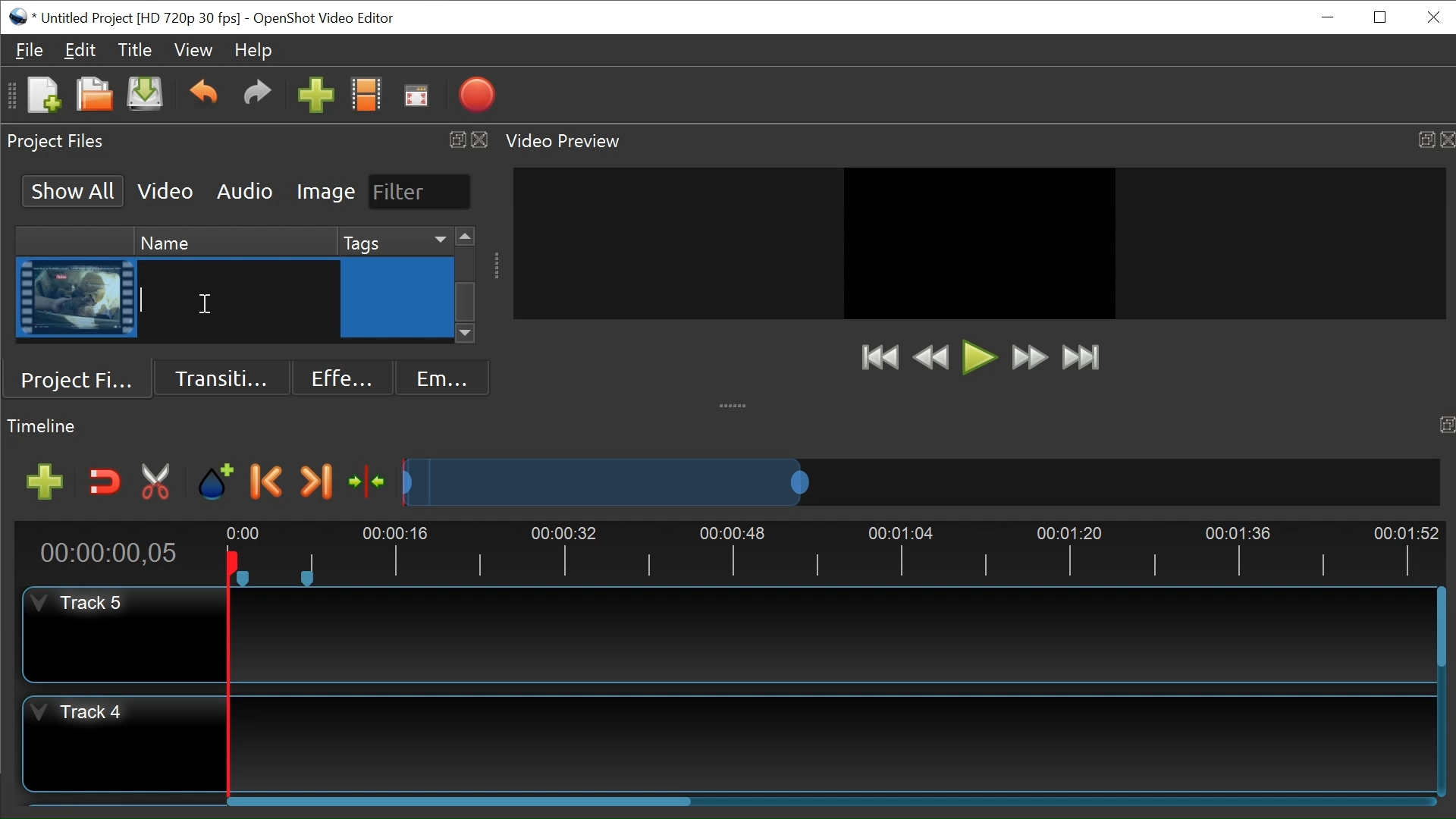 The image size is (1456, 819). Describe the element at coordinates (146, 96) in the screenshot. I see `Save Project` at that location.